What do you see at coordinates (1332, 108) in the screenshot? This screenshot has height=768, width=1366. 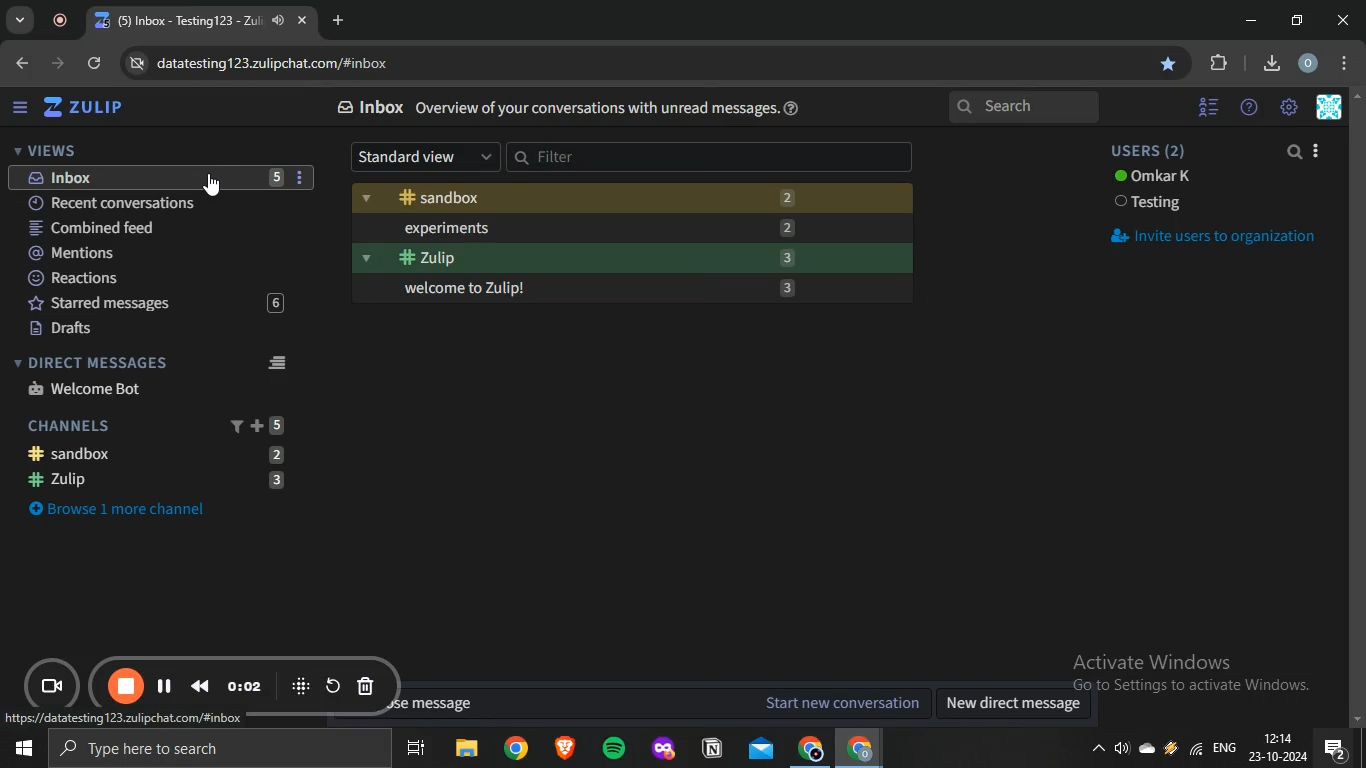 I see `personal menu` at bounding box center [1332, 108].